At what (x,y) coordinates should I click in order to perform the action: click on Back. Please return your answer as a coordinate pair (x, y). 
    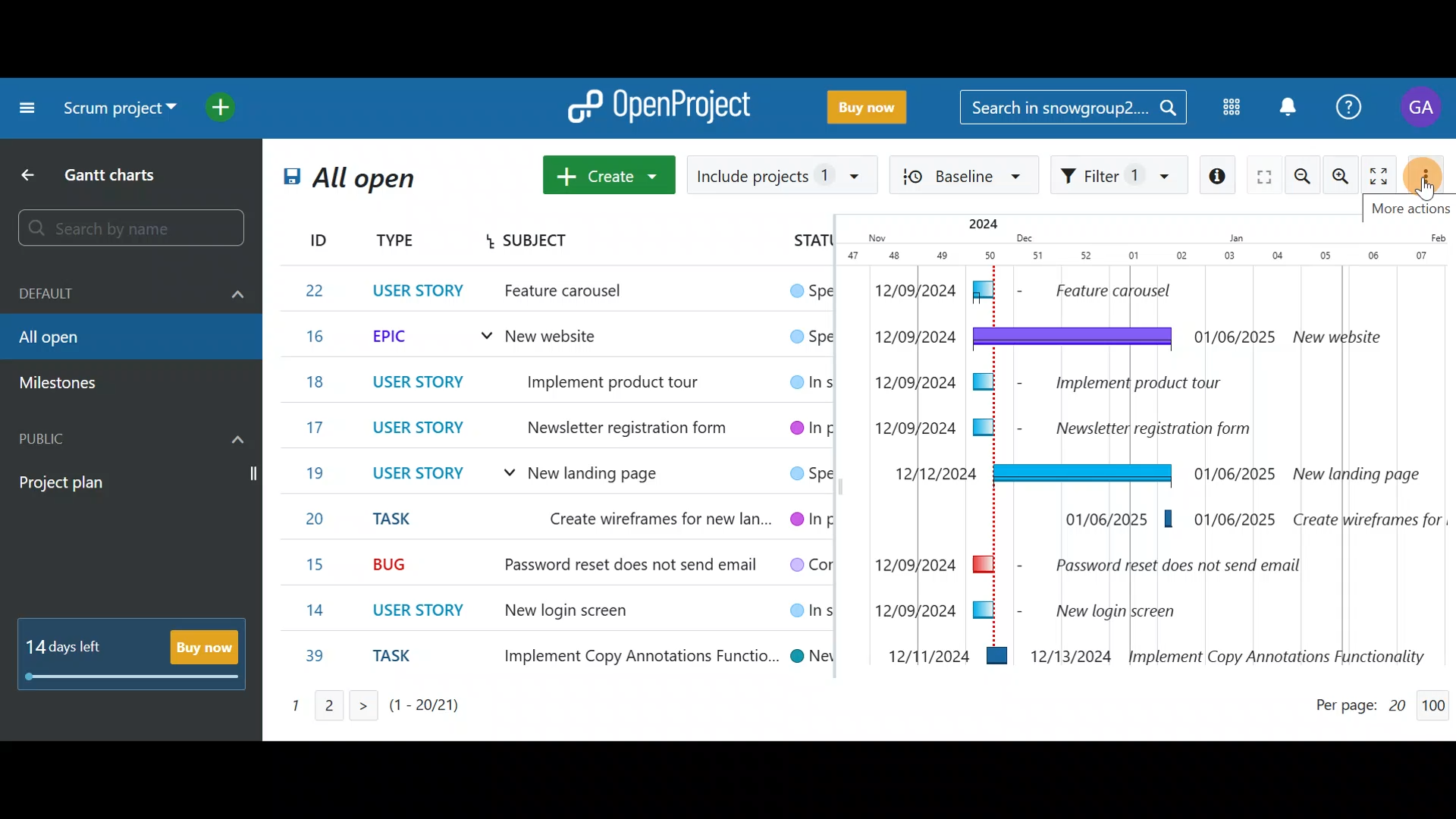
    Looking at the image, I should click on (32, 172).